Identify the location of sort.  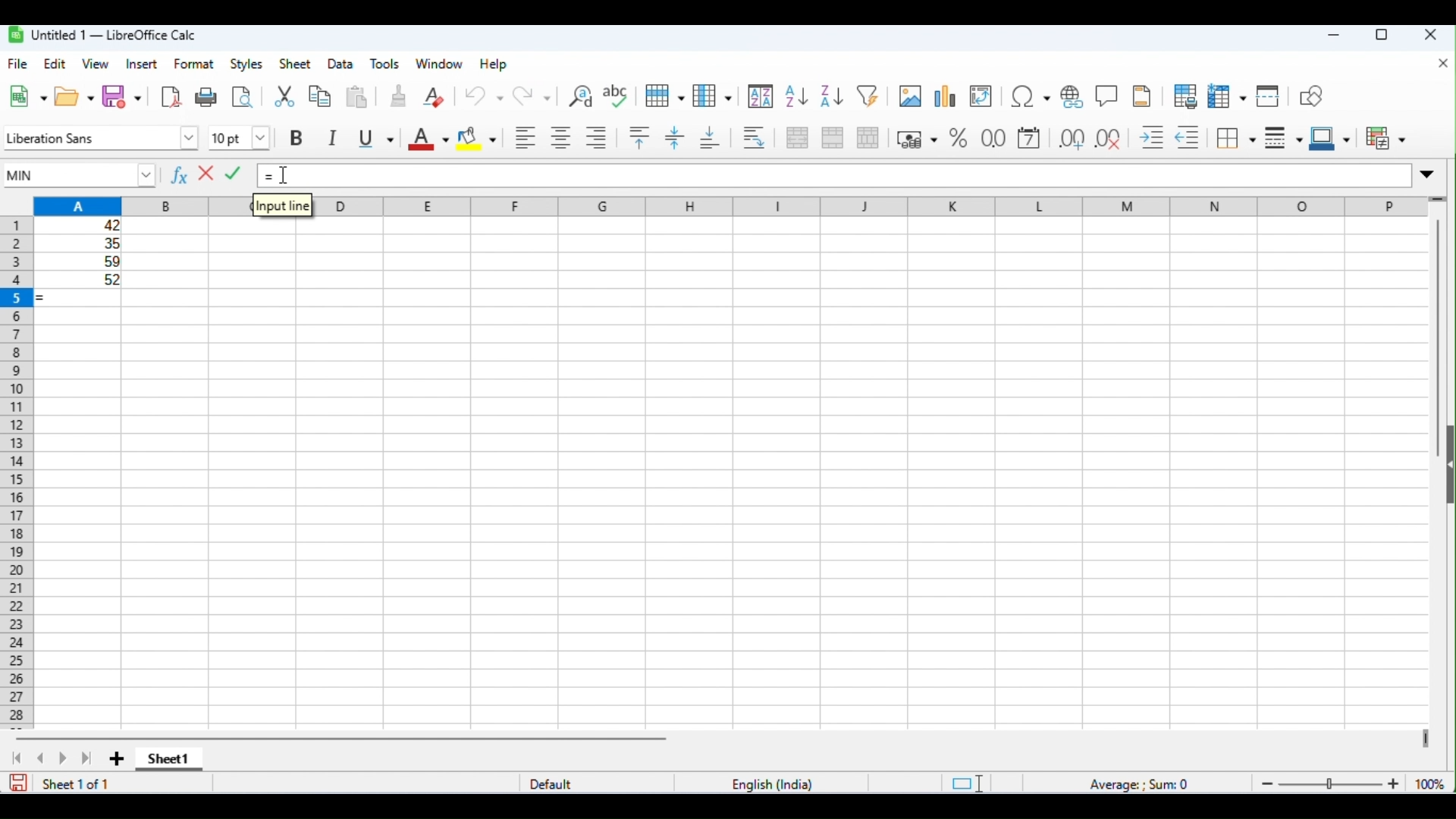
(761, 96).